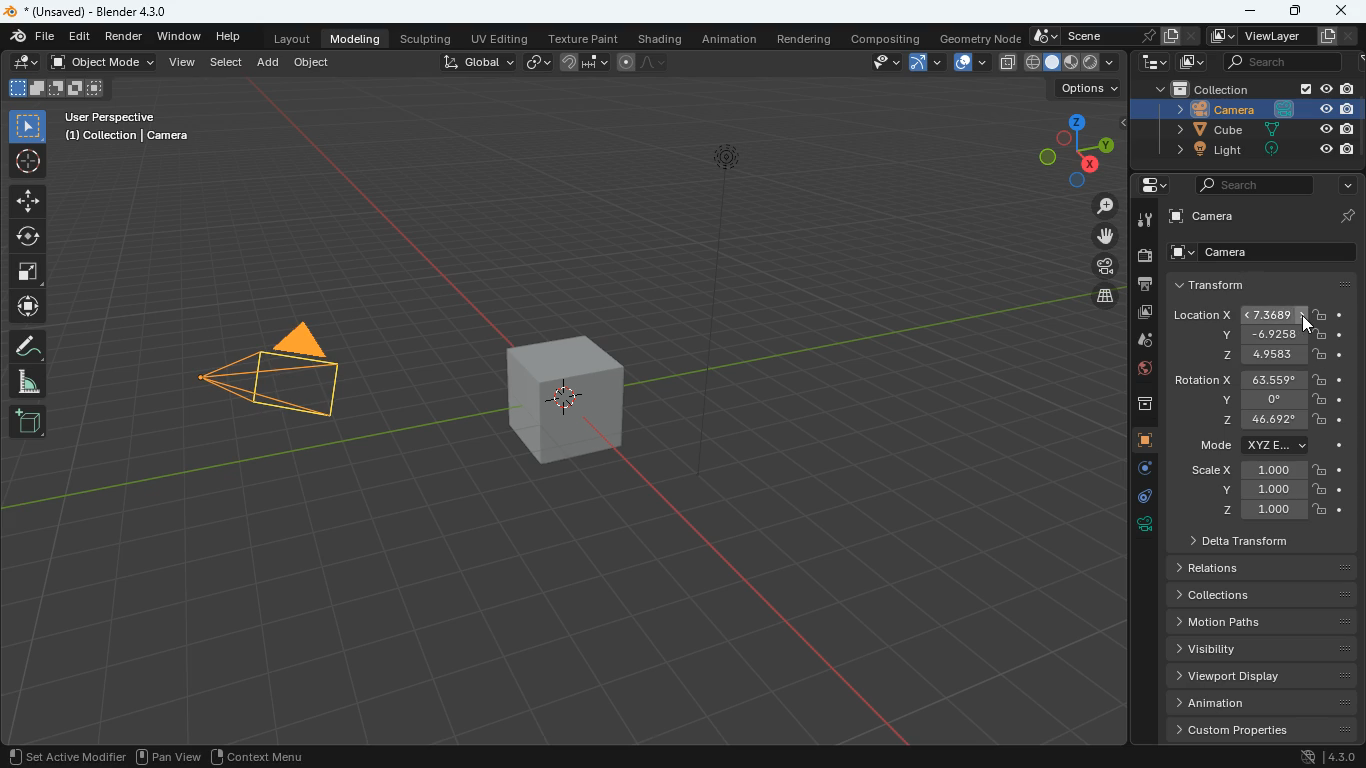  I want to click on film, so click(1103, 269).